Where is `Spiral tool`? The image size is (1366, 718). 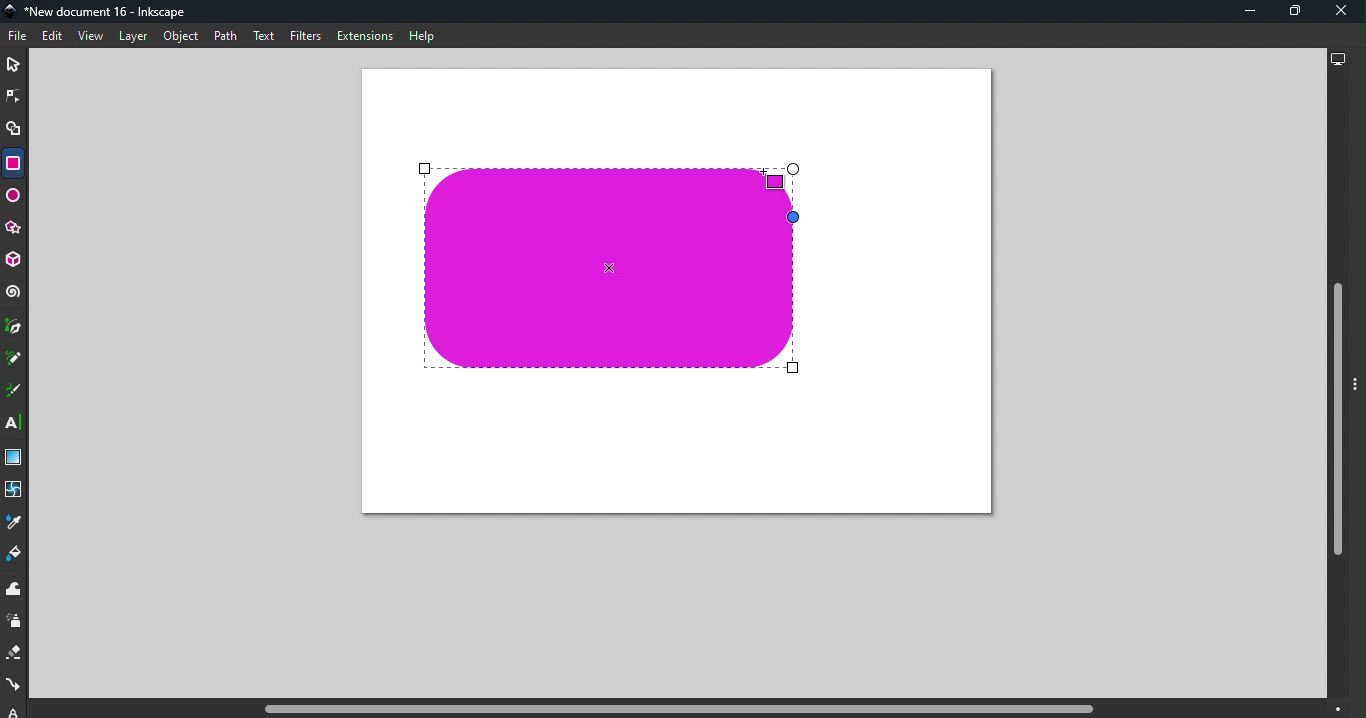
Spiral tool is located at coordinates (14, 292).